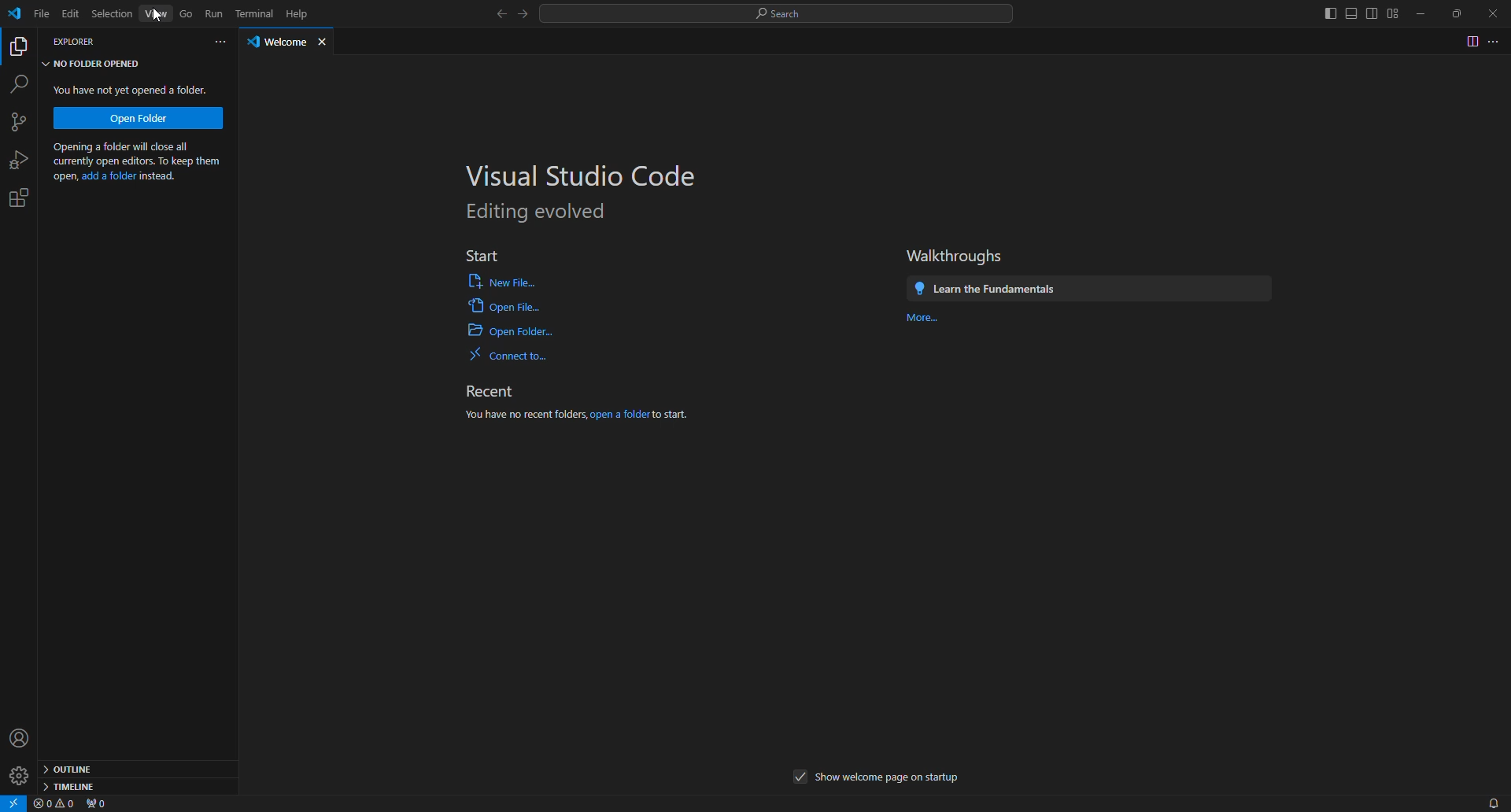 The height and width of the screenshot is (812, 1511). What do you see at coordinates (507, 354) in the screenshot?
I see `Connect to` at bounding box center [507, 354].